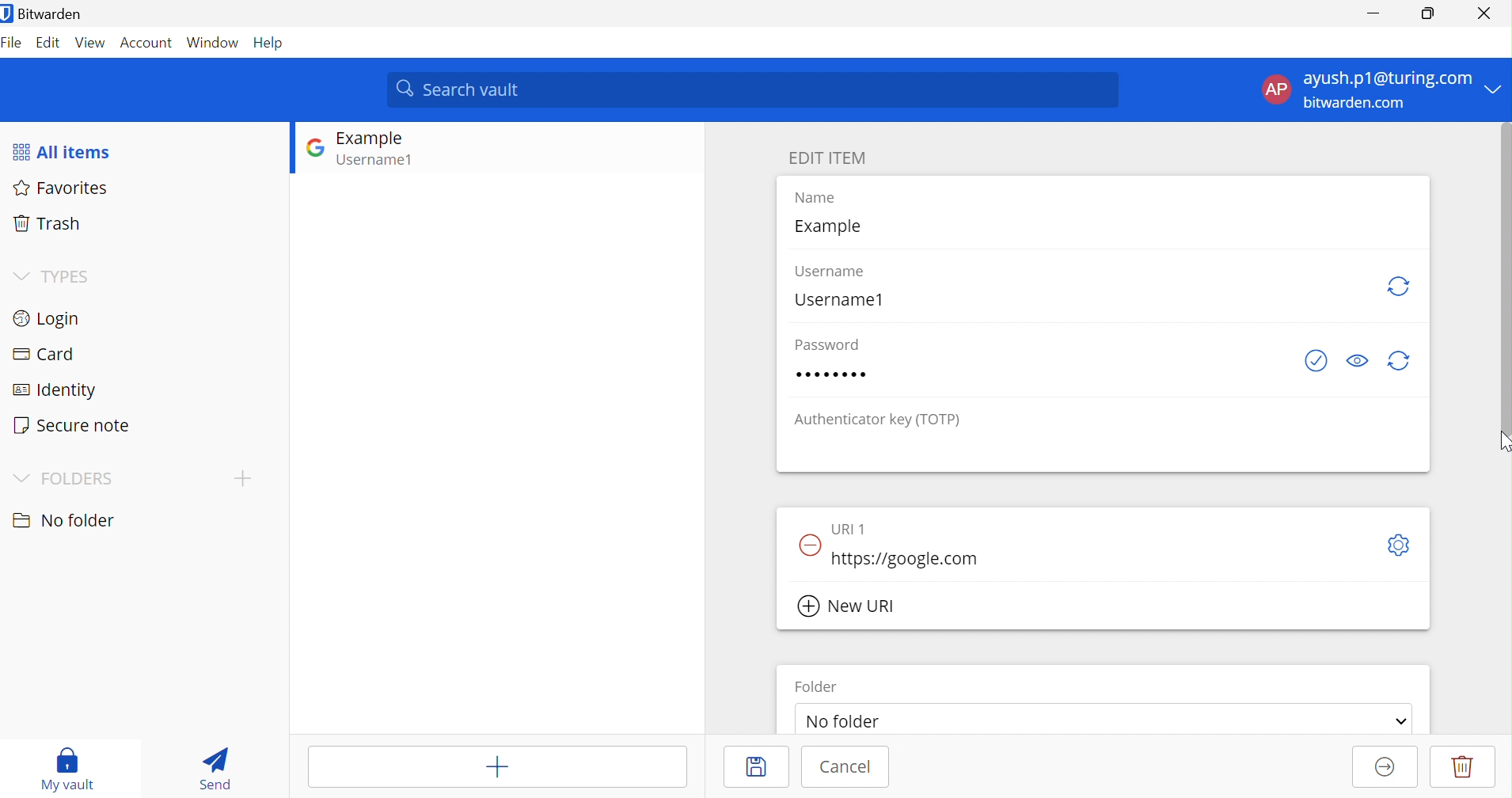 Image resolution: width=1512 pixels, height=798 pixels. Describe the element at coordinates (815, 687) in the screenshot. I see `Folder` at that location.